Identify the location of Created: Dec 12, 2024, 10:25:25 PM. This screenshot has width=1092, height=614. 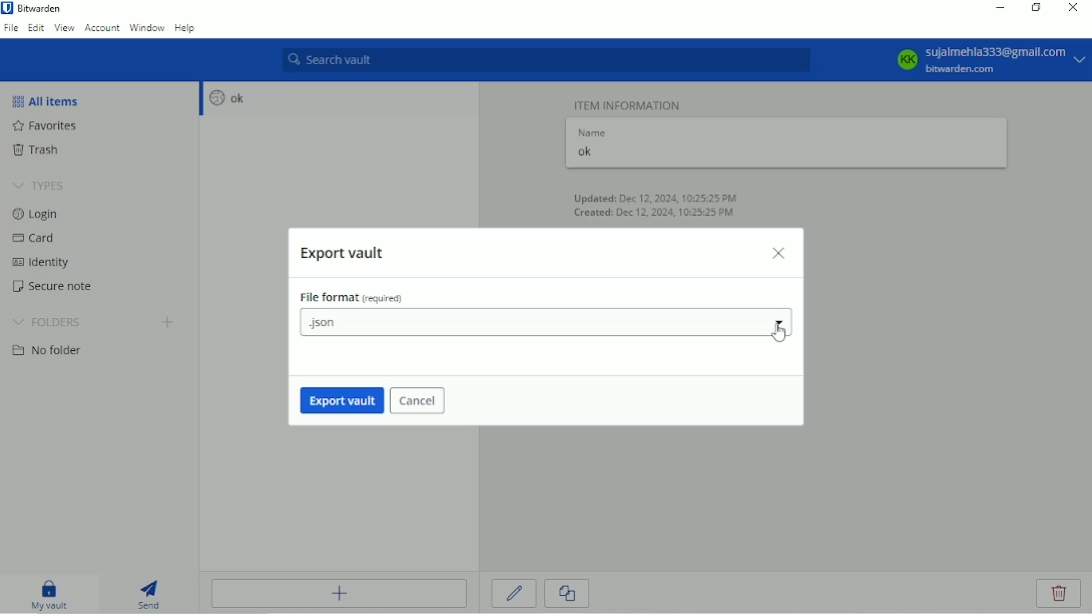
(653, 214).